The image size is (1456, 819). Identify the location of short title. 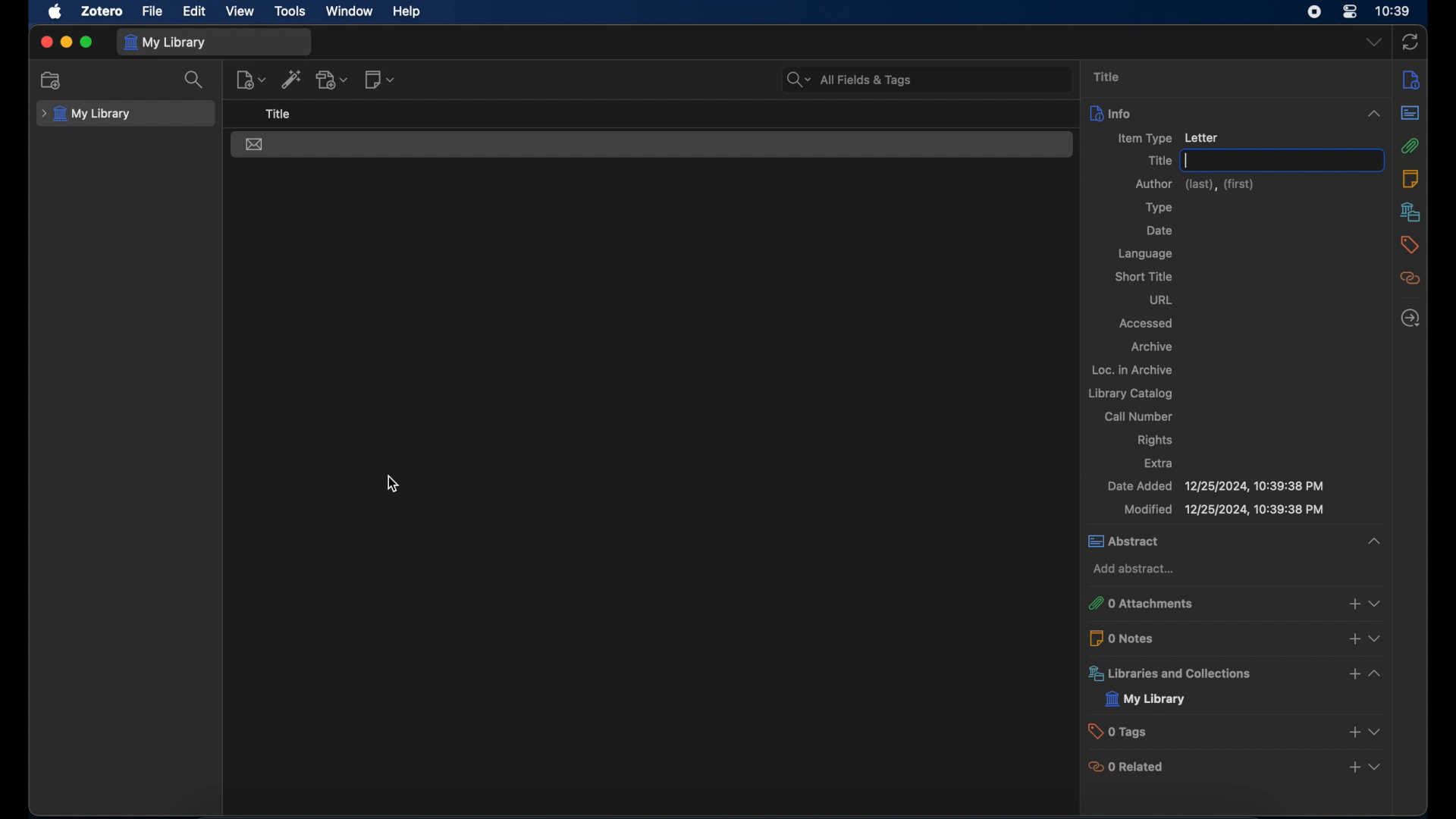
(1145, 276).